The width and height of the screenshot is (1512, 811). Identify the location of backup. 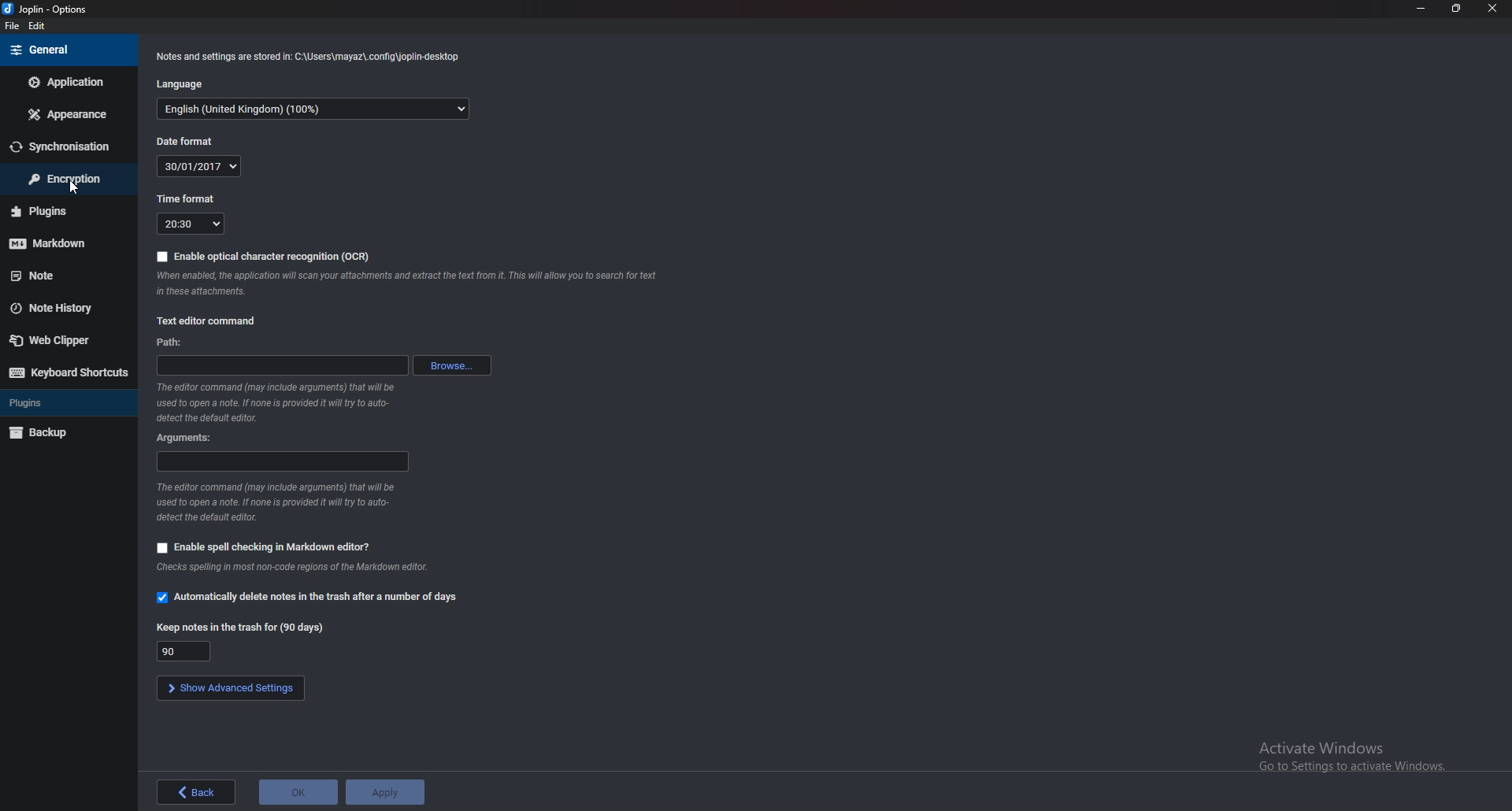
(66, 432).